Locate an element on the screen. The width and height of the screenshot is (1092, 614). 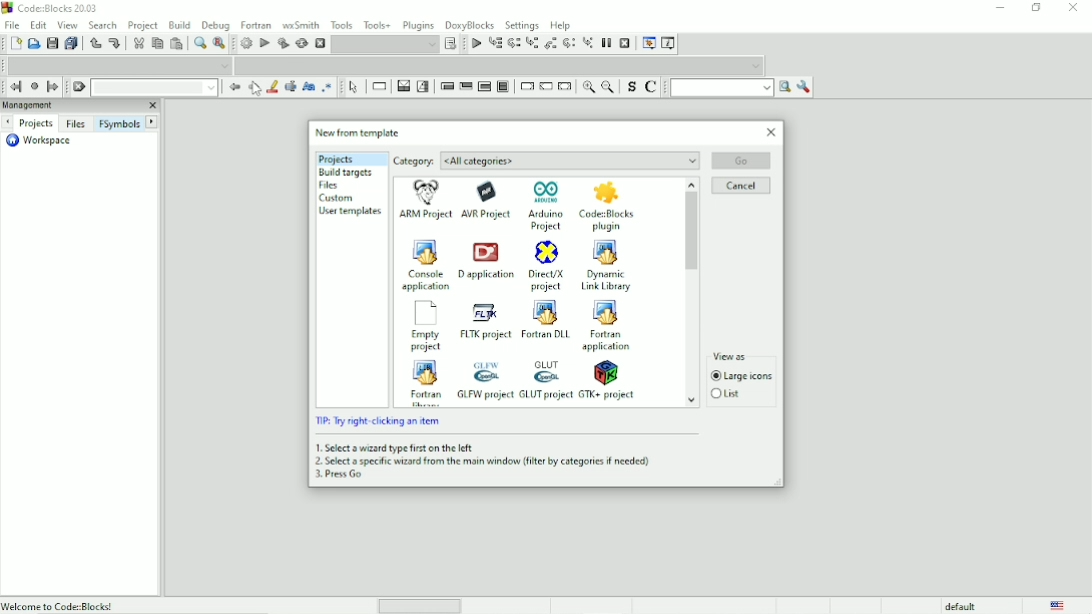
Instruction is located at coordinates (381, 86).